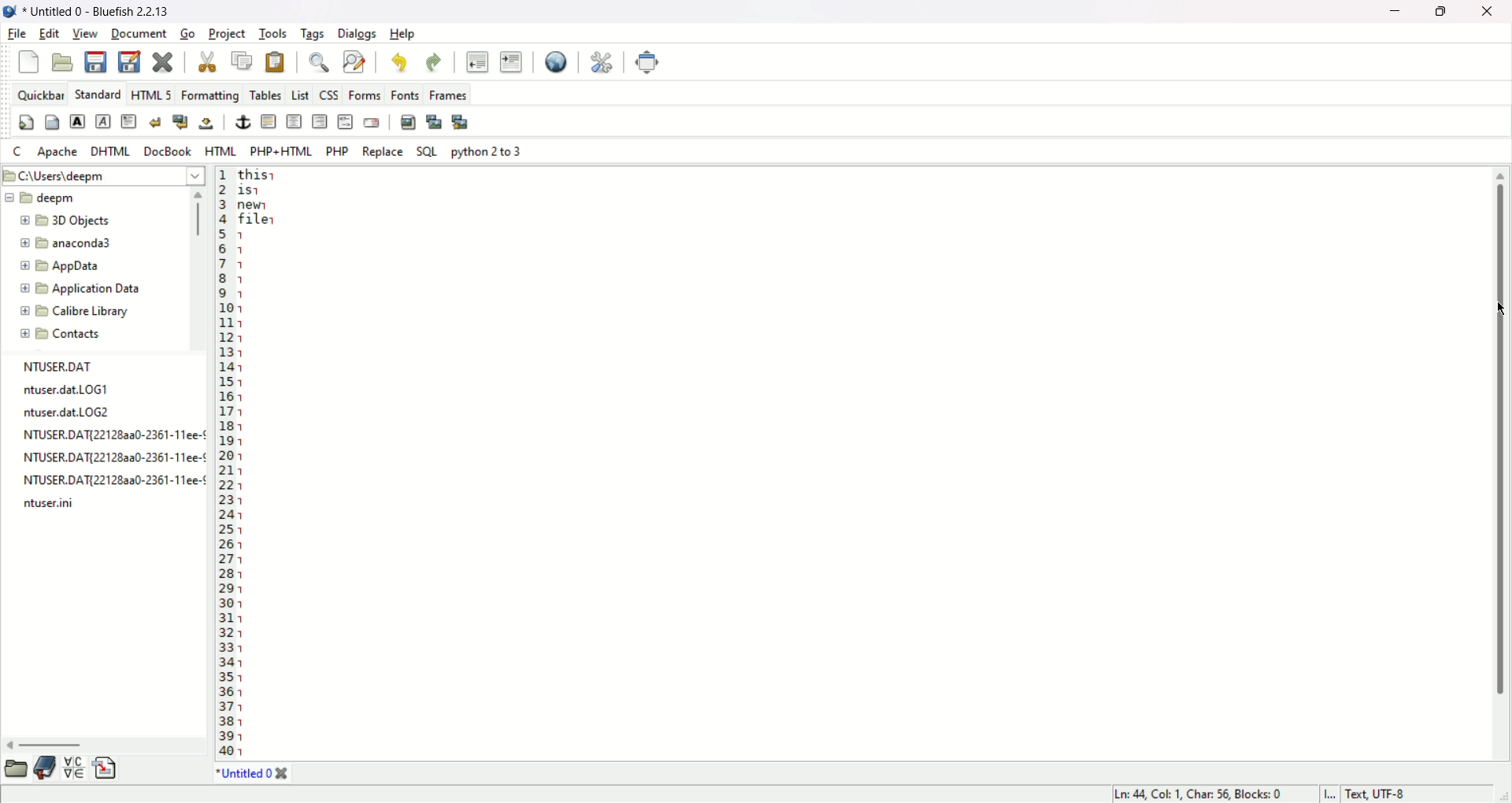 The image size is (1512, 803). I want to click on PHP+HTML, so click(280, 151).